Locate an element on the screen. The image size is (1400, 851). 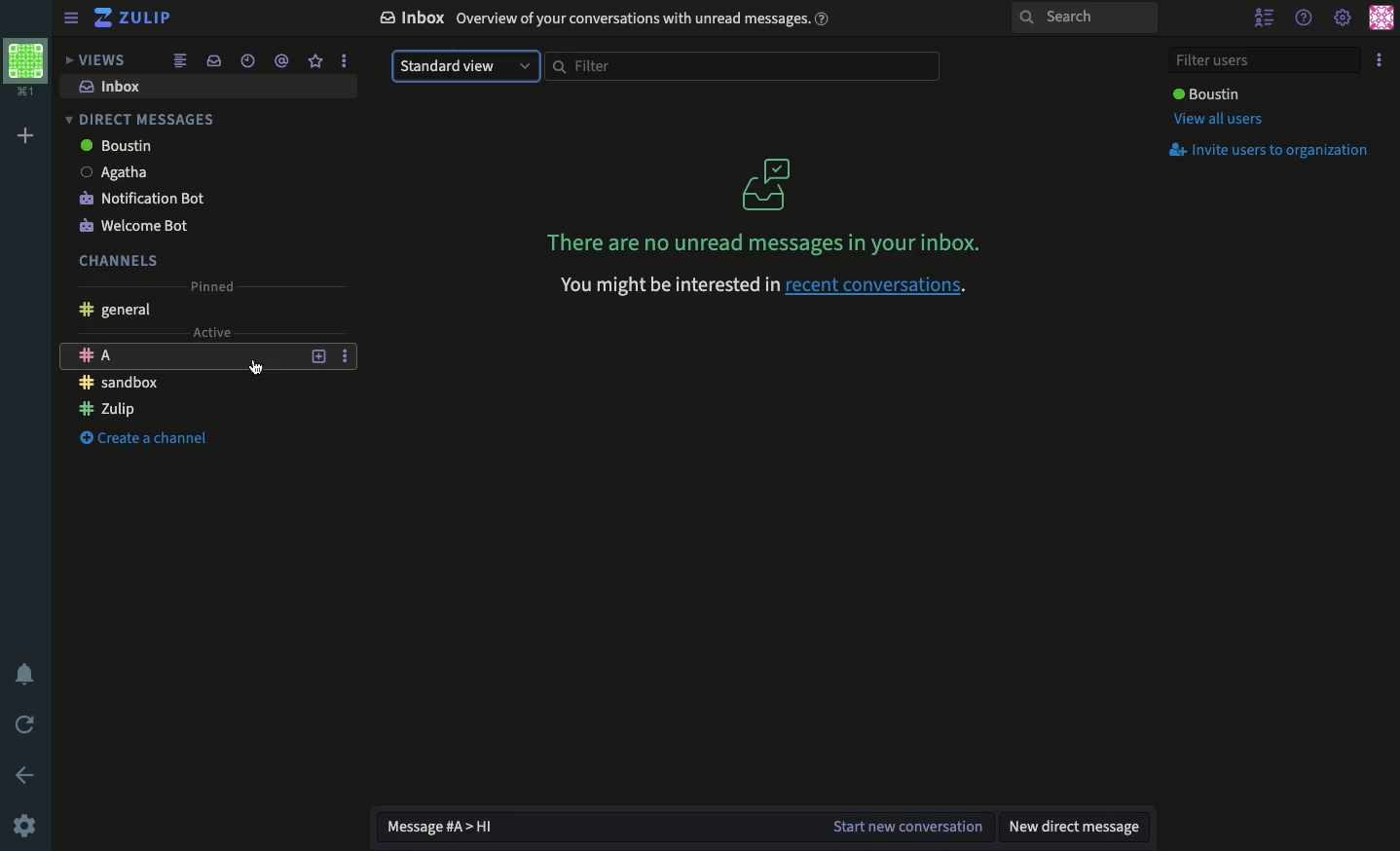
Feed is located at coordinates (180, 59).